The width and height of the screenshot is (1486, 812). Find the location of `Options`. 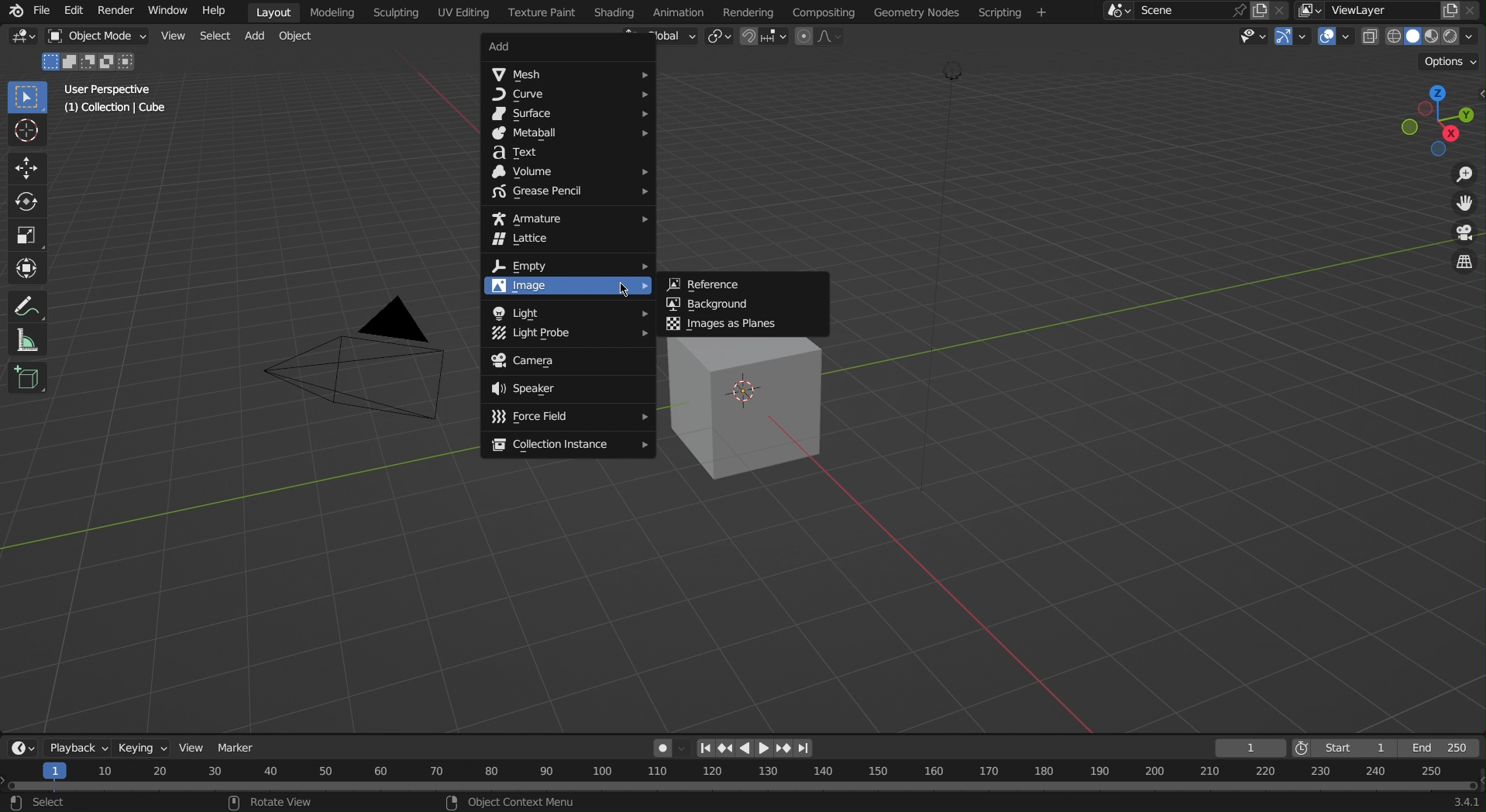

Options is located at coordinates (1448, 60).